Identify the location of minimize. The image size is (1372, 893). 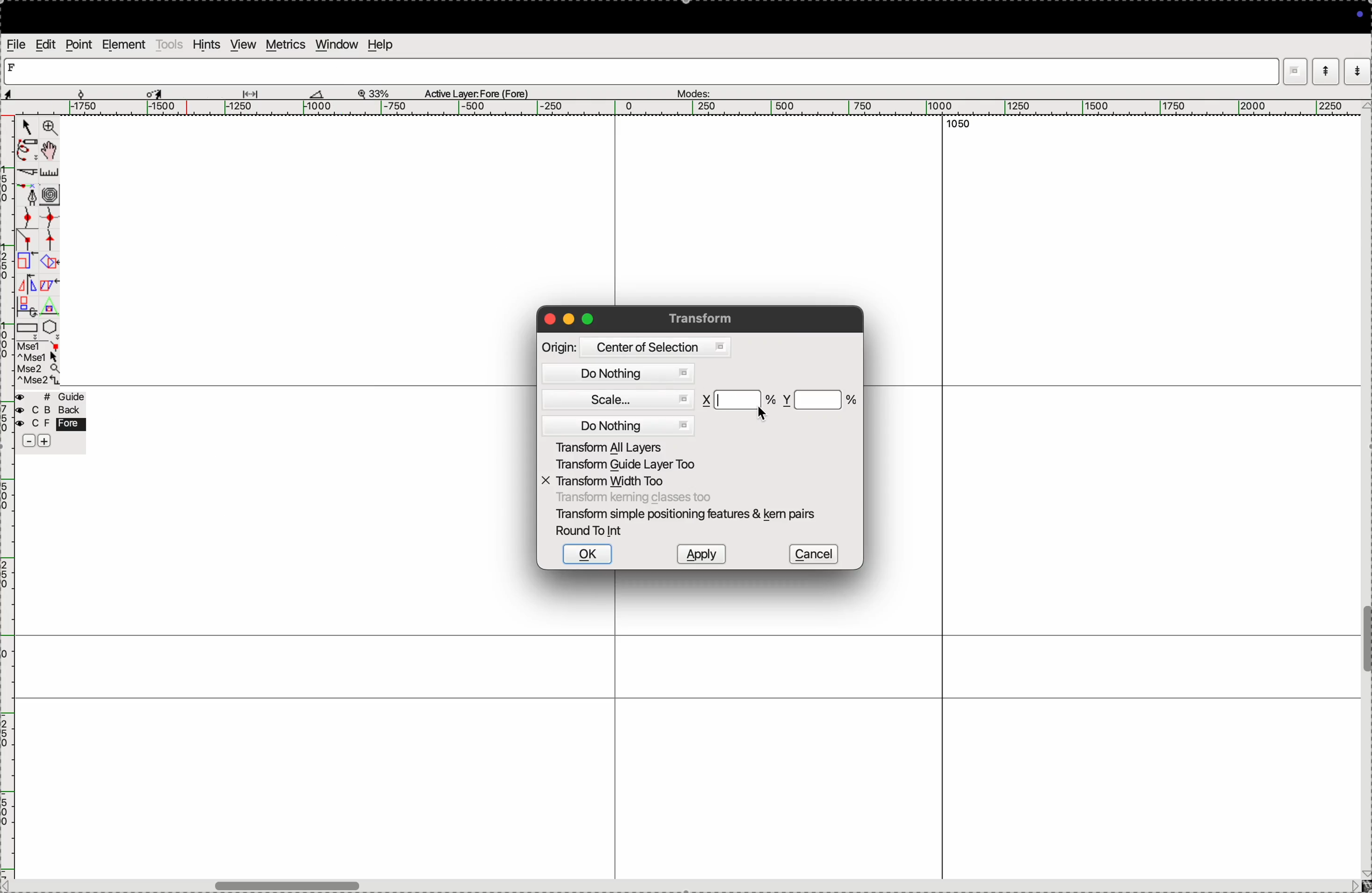
(570, 320).